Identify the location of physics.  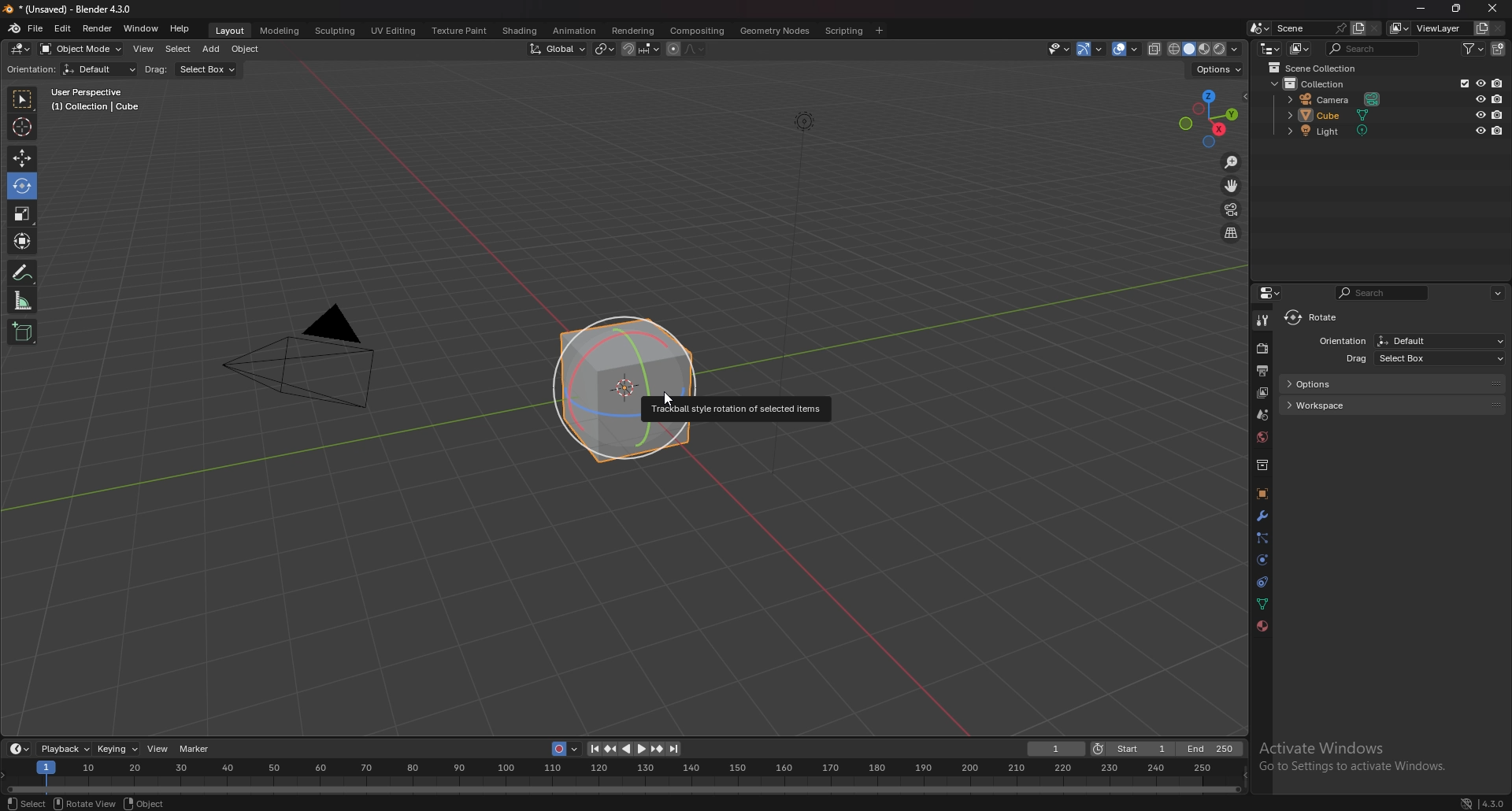
(1262, 560).